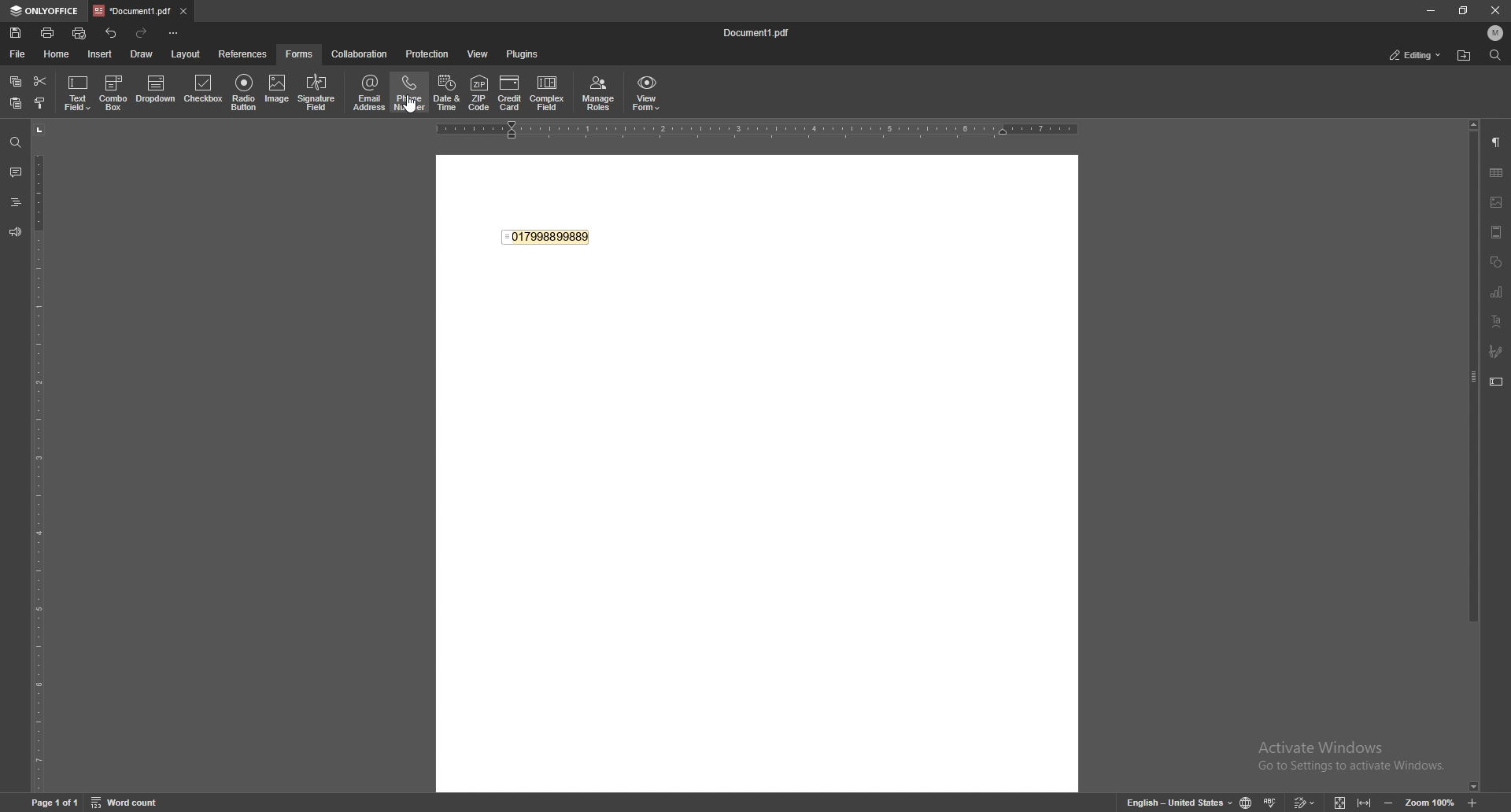 This screenshot has width=1511, height=812. What do you see at coordinates (447, 94) in the screenshot?
I see `date and time` at bounding box center [447, 94].